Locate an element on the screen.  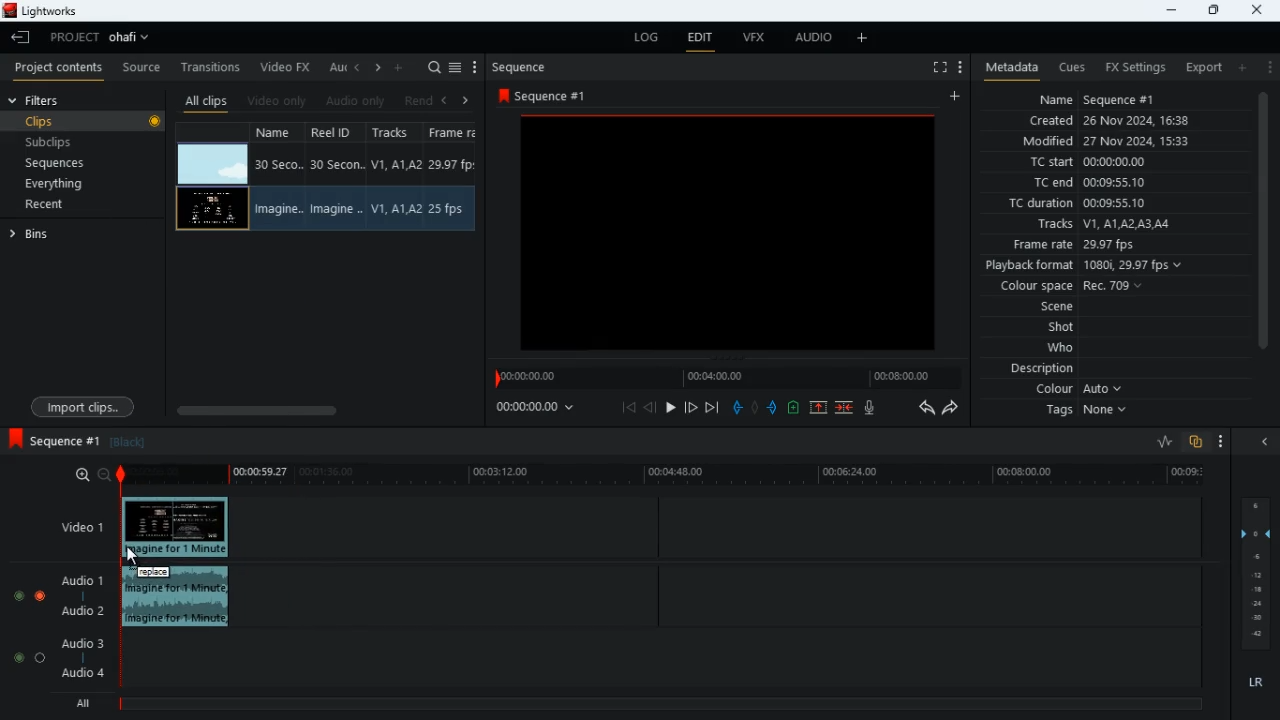
sequence is located at coordinates (548, 96).